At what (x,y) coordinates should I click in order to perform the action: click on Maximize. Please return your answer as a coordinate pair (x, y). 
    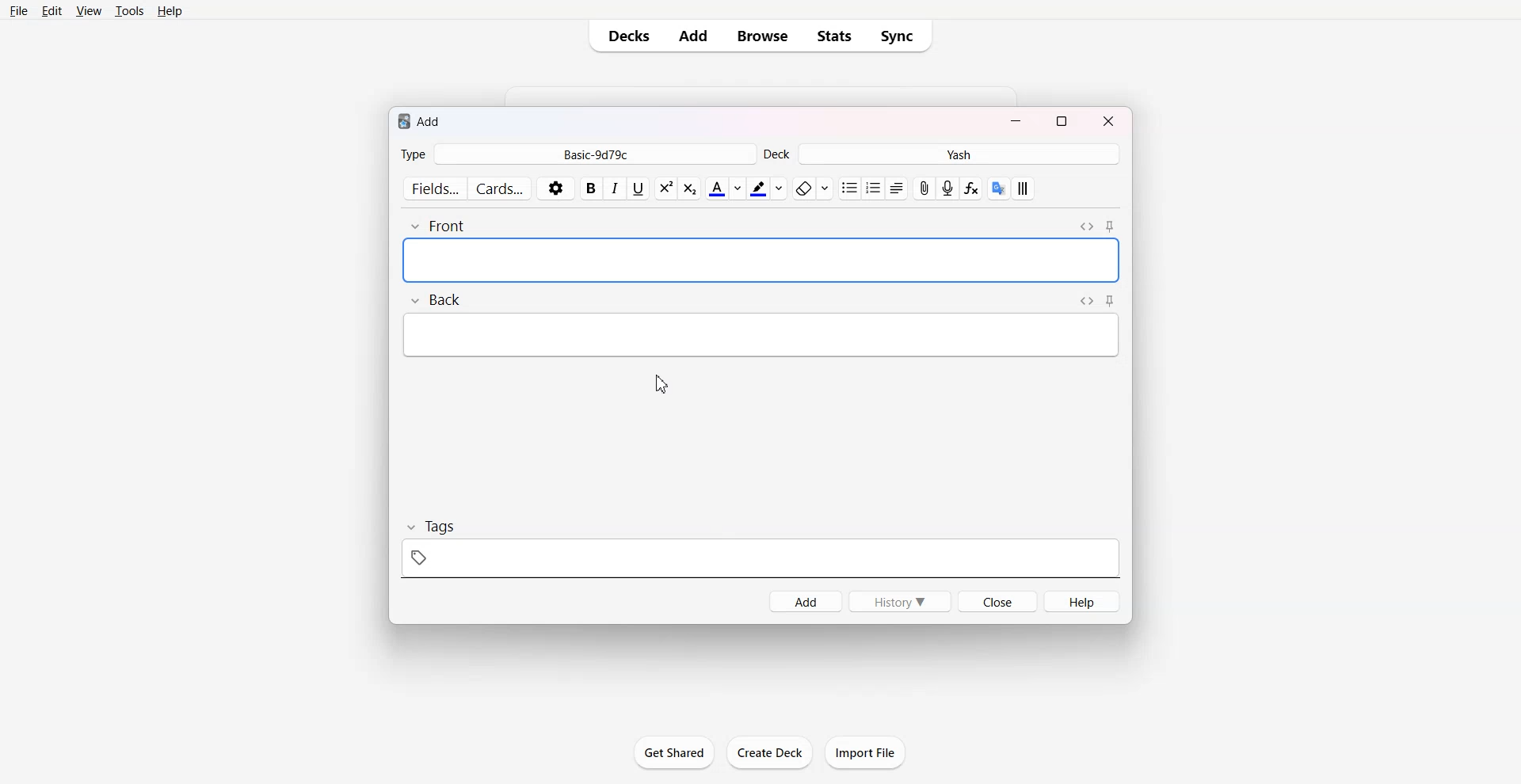
    Looking at the image, I should click on (1062, 120).